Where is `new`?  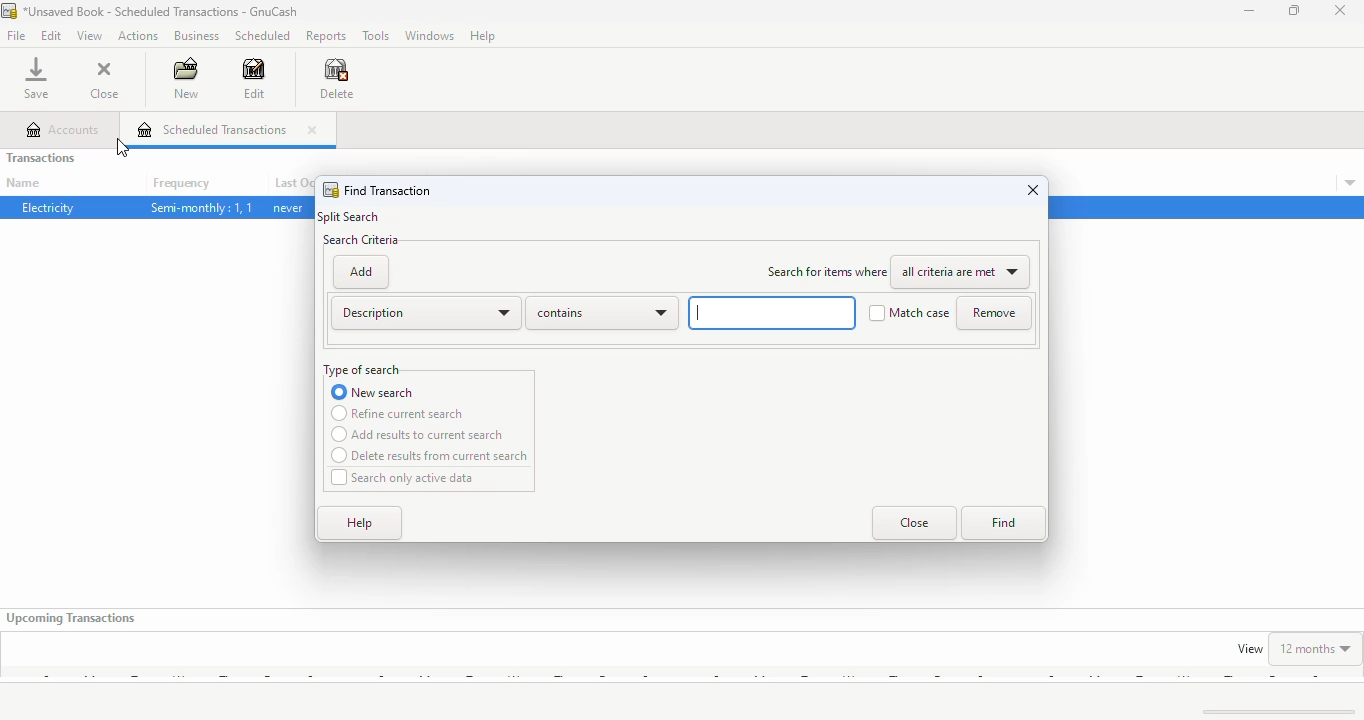
new is located at coordinates (187, 78).